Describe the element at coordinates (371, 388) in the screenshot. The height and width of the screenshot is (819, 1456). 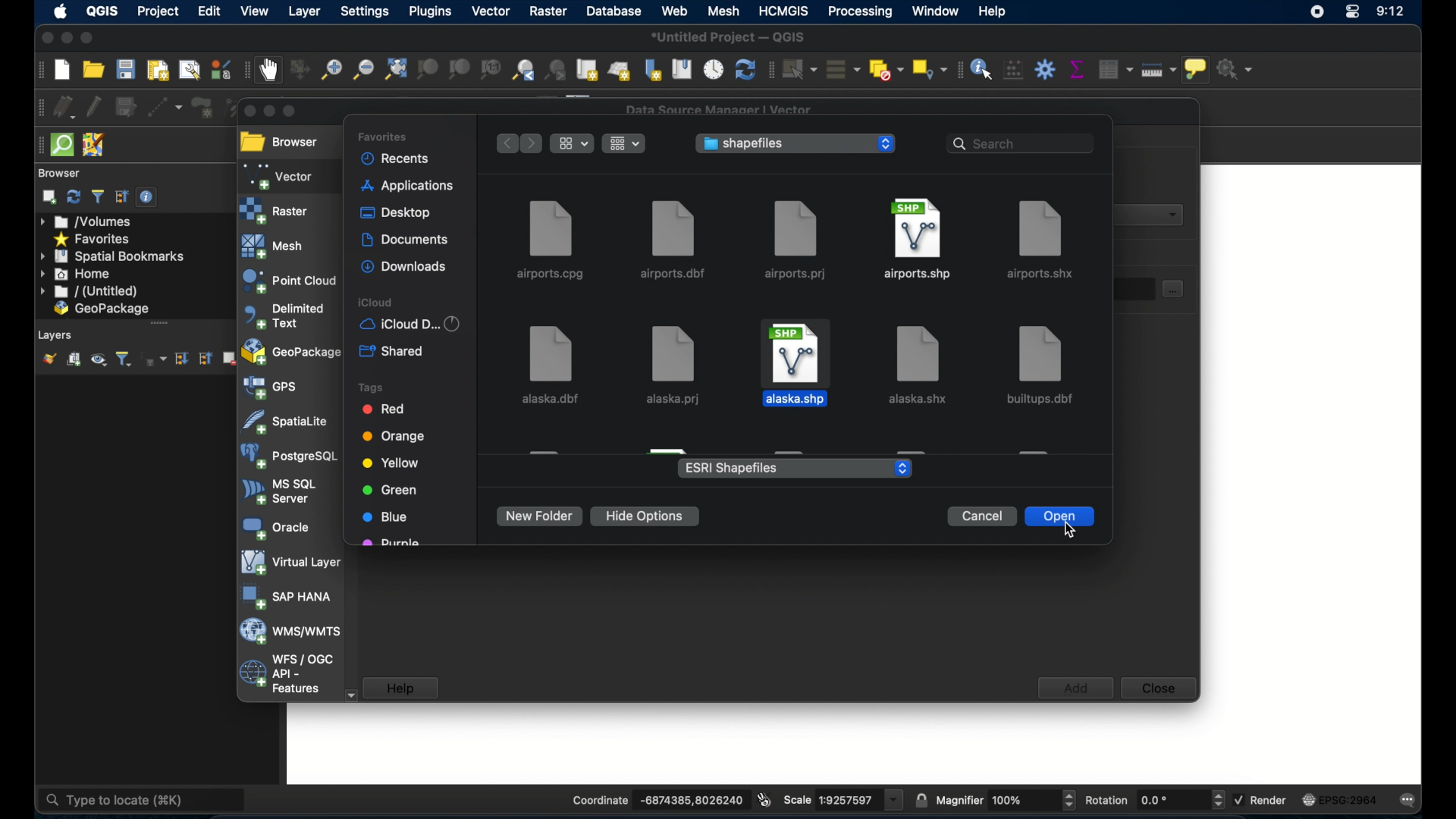
I see `tags` at that location.